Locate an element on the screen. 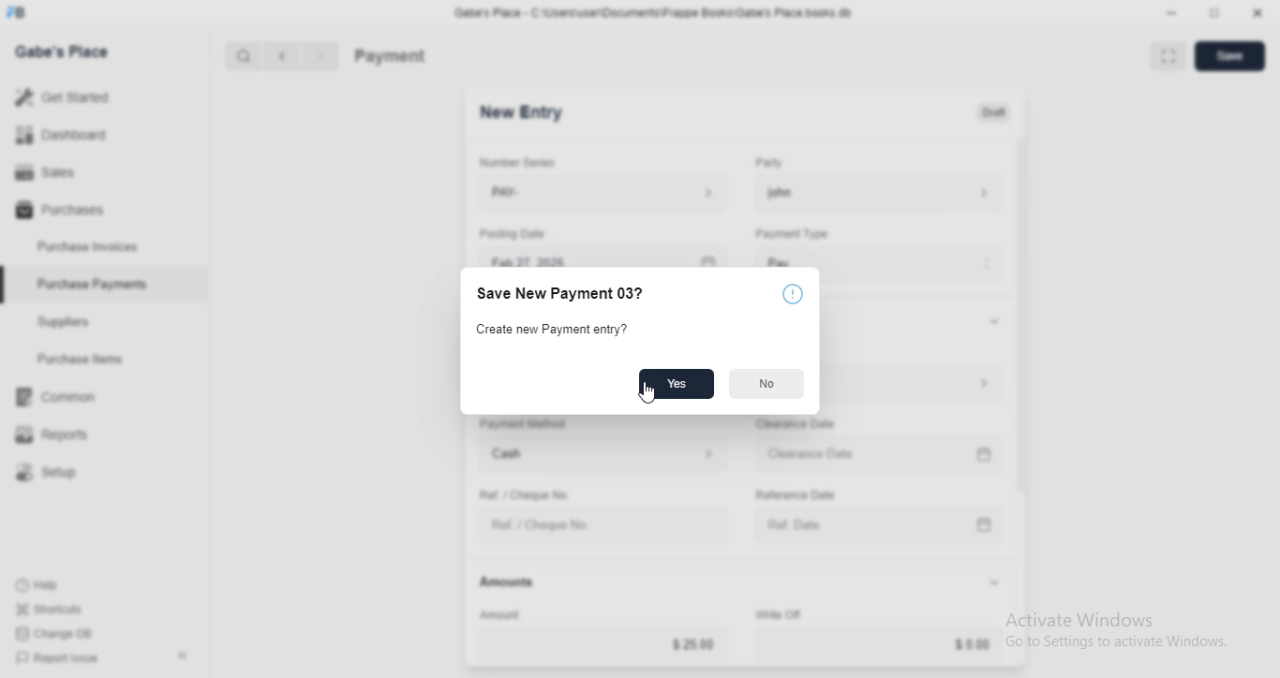 Image resolution: width=1280 pixels, height=678 pixels. Save New Payment 03? is located at coordinates (564, 294).